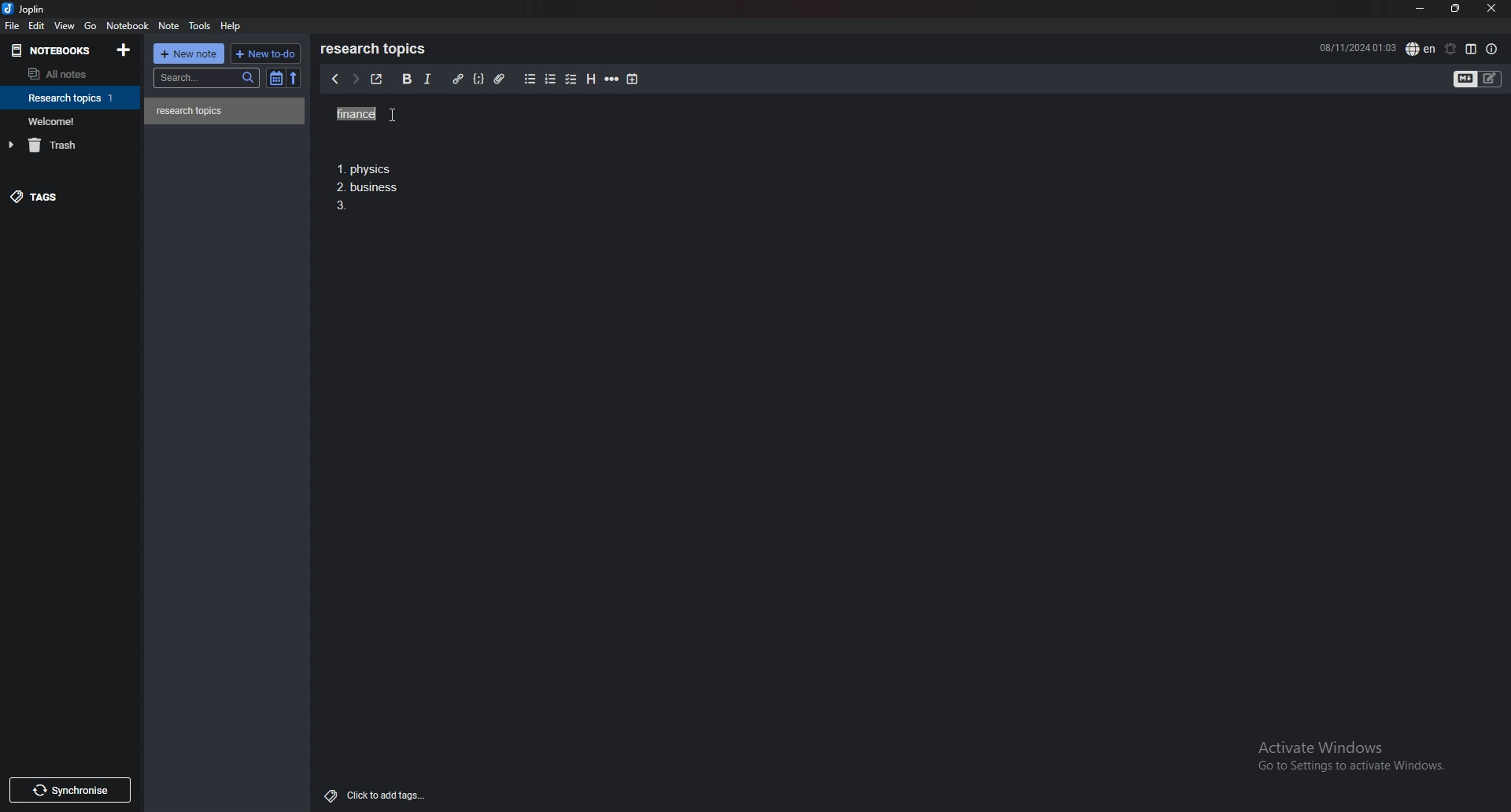 Image resolution: width=1511 pixels, height=812 pixels. Describe the element at coordinates (65, 26) in the screenshot. I see `view` at that location.